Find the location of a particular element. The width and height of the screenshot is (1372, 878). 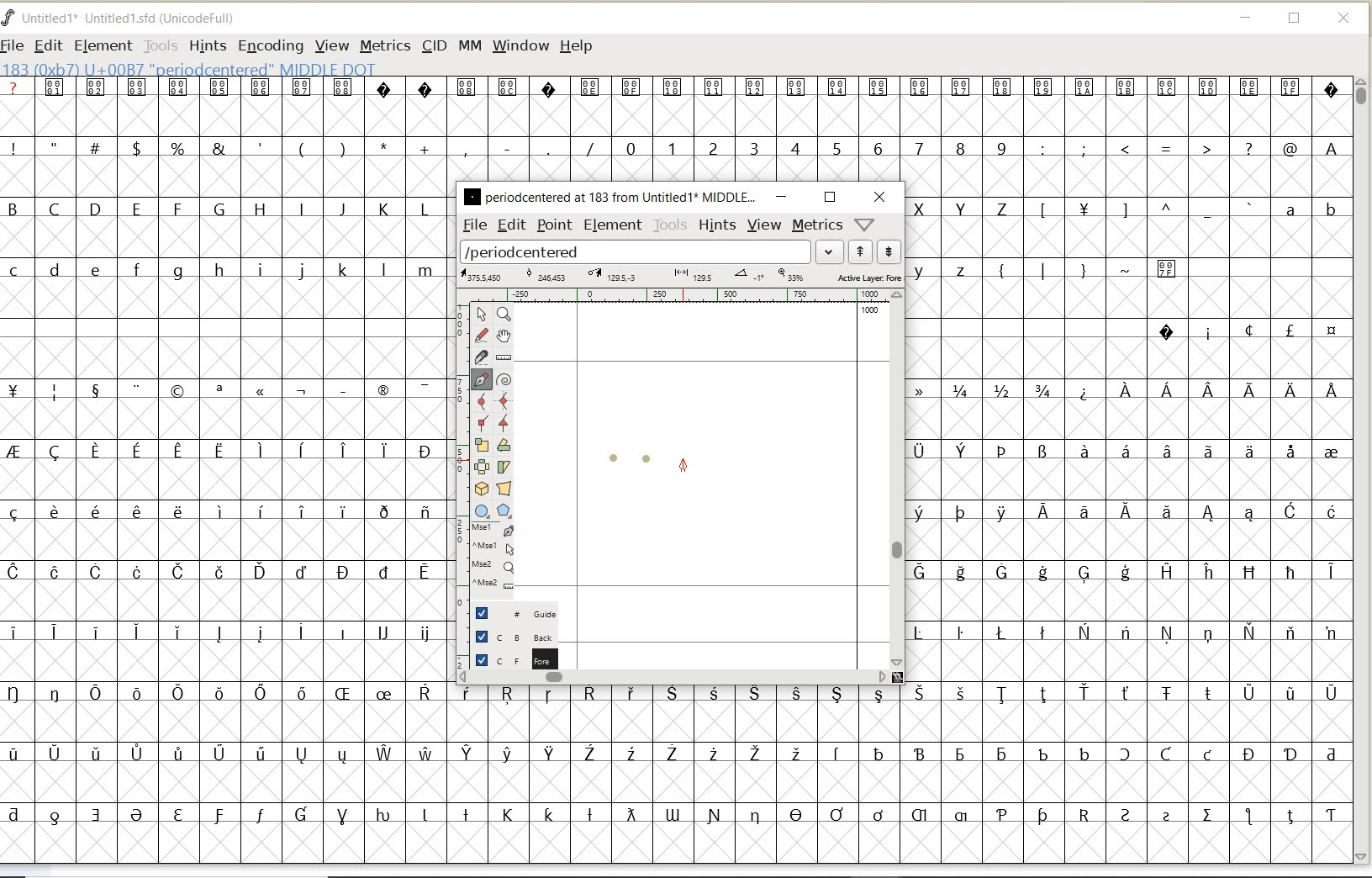

glyph name is located at coordinates (609, 196).